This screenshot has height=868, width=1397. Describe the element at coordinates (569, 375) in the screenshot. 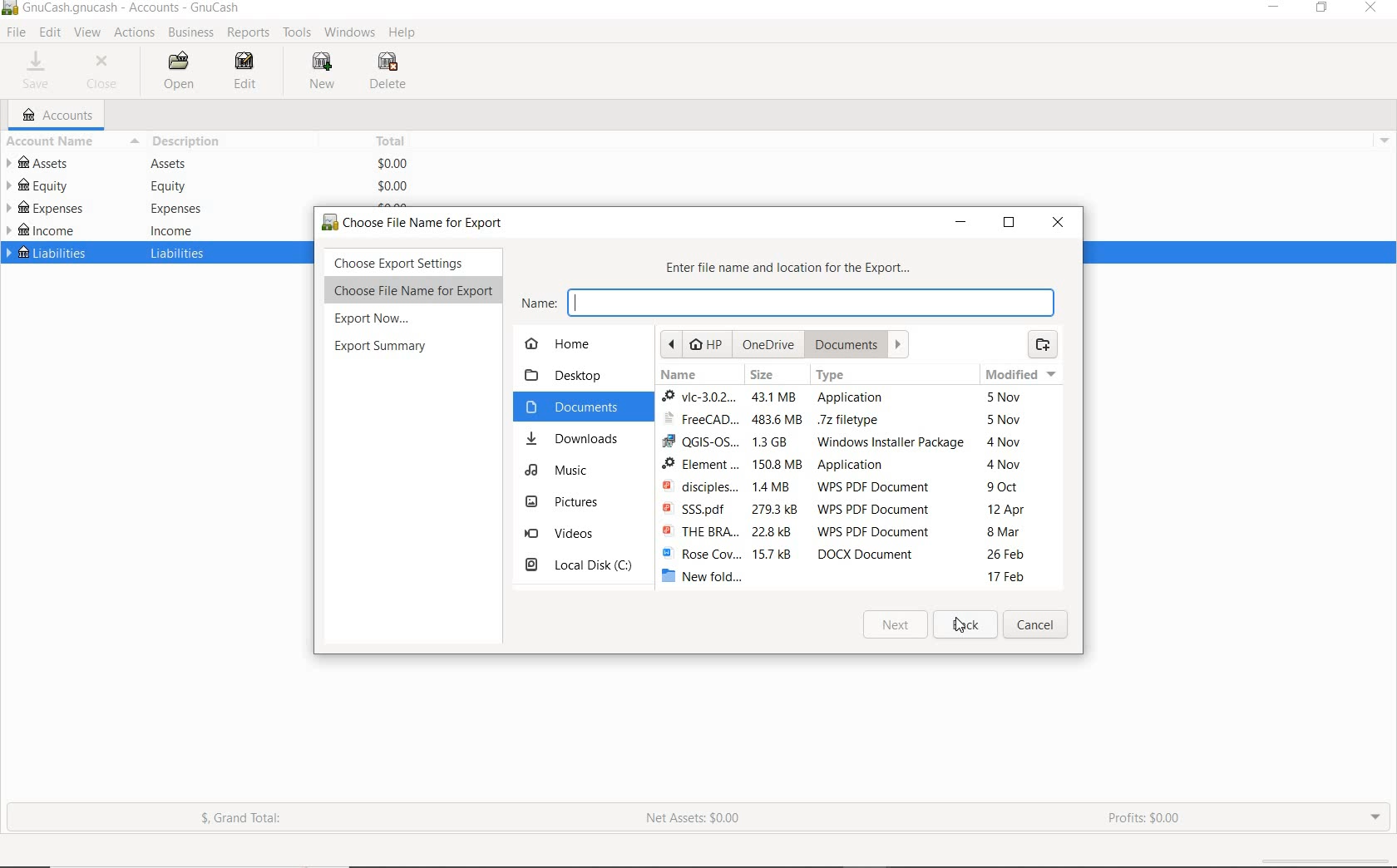

I see `desktop` at that location.